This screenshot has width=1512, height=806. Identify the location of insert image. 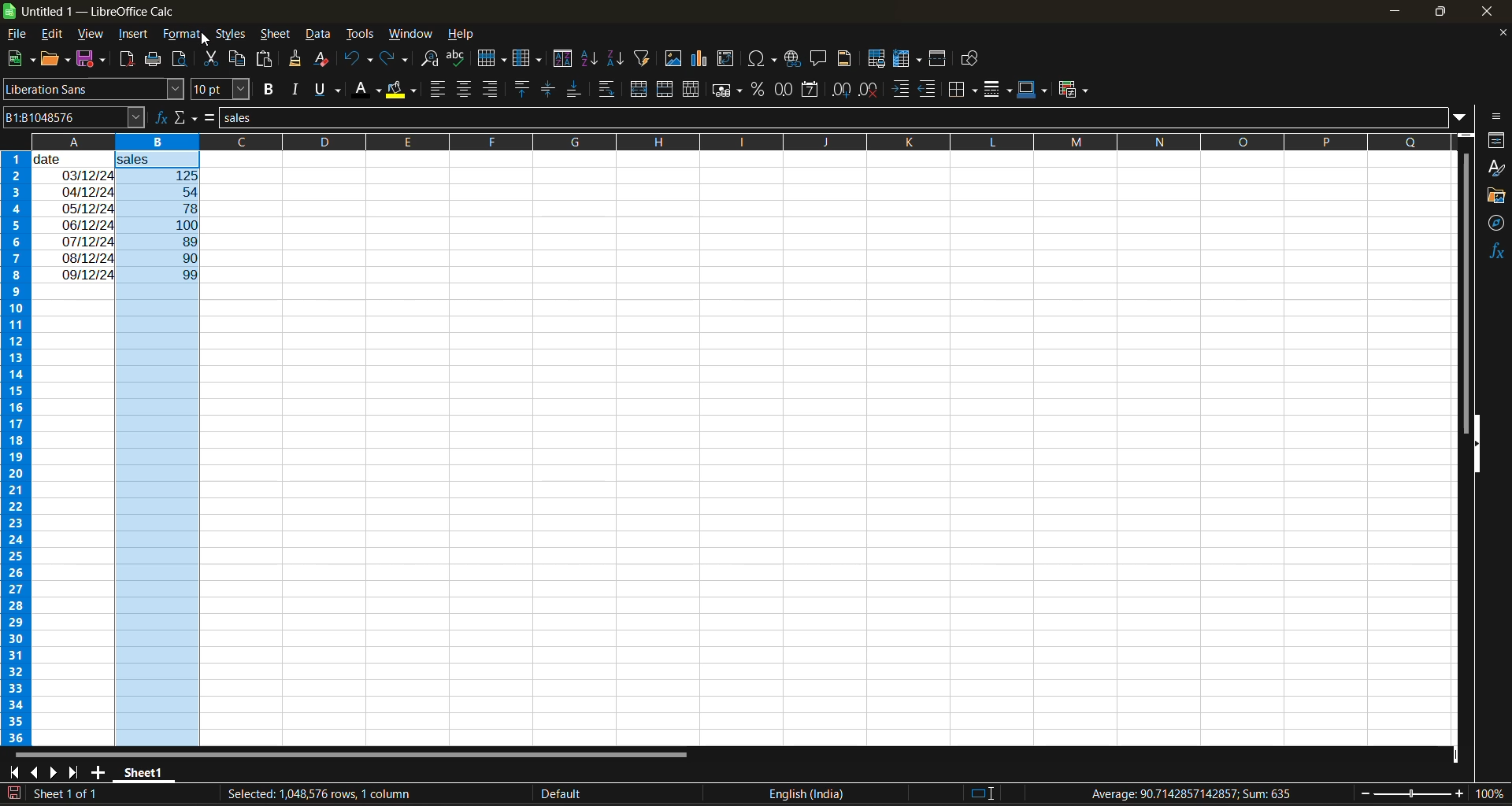
(676, 59).